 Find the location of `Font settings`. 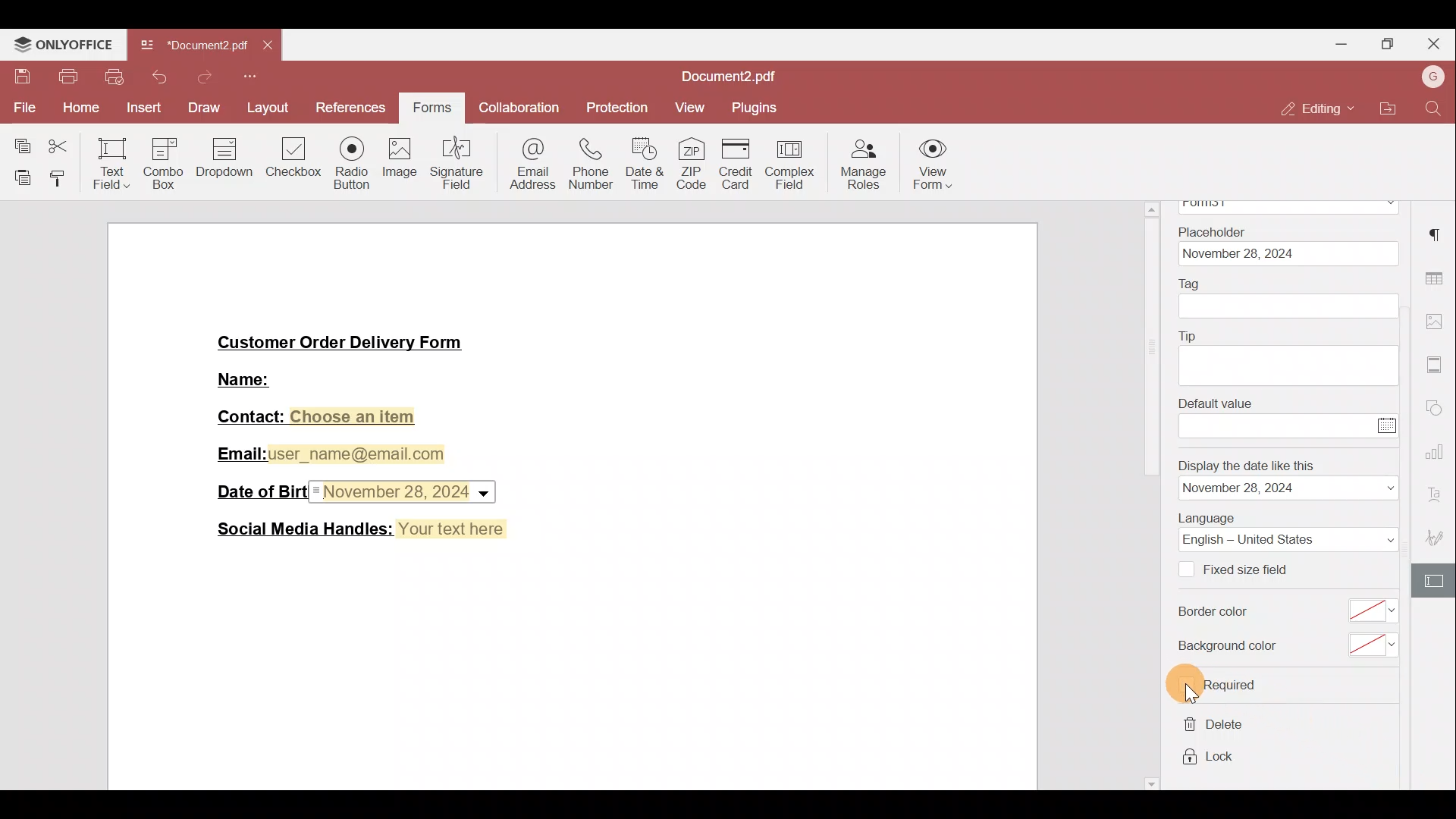

Font settings is located at coordinates (1436, 496).